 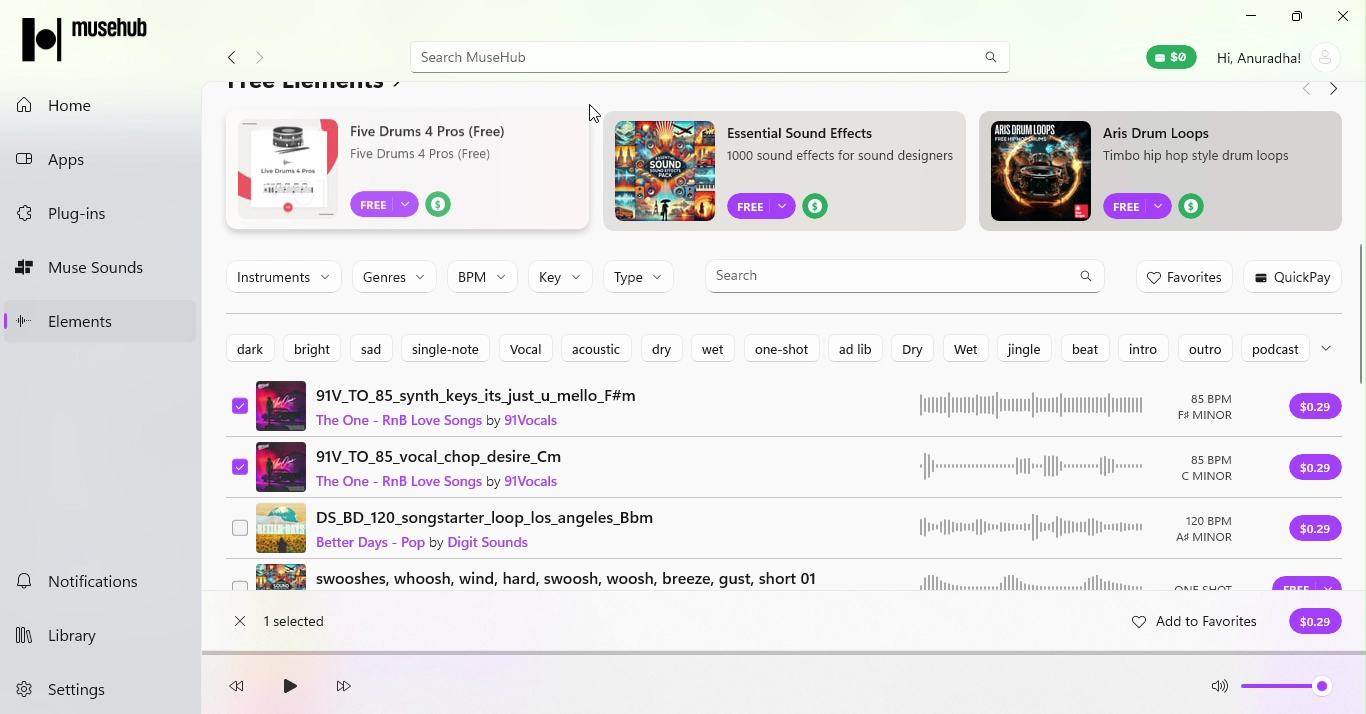 I want to click on purchase, so click(x=1317, y=537).